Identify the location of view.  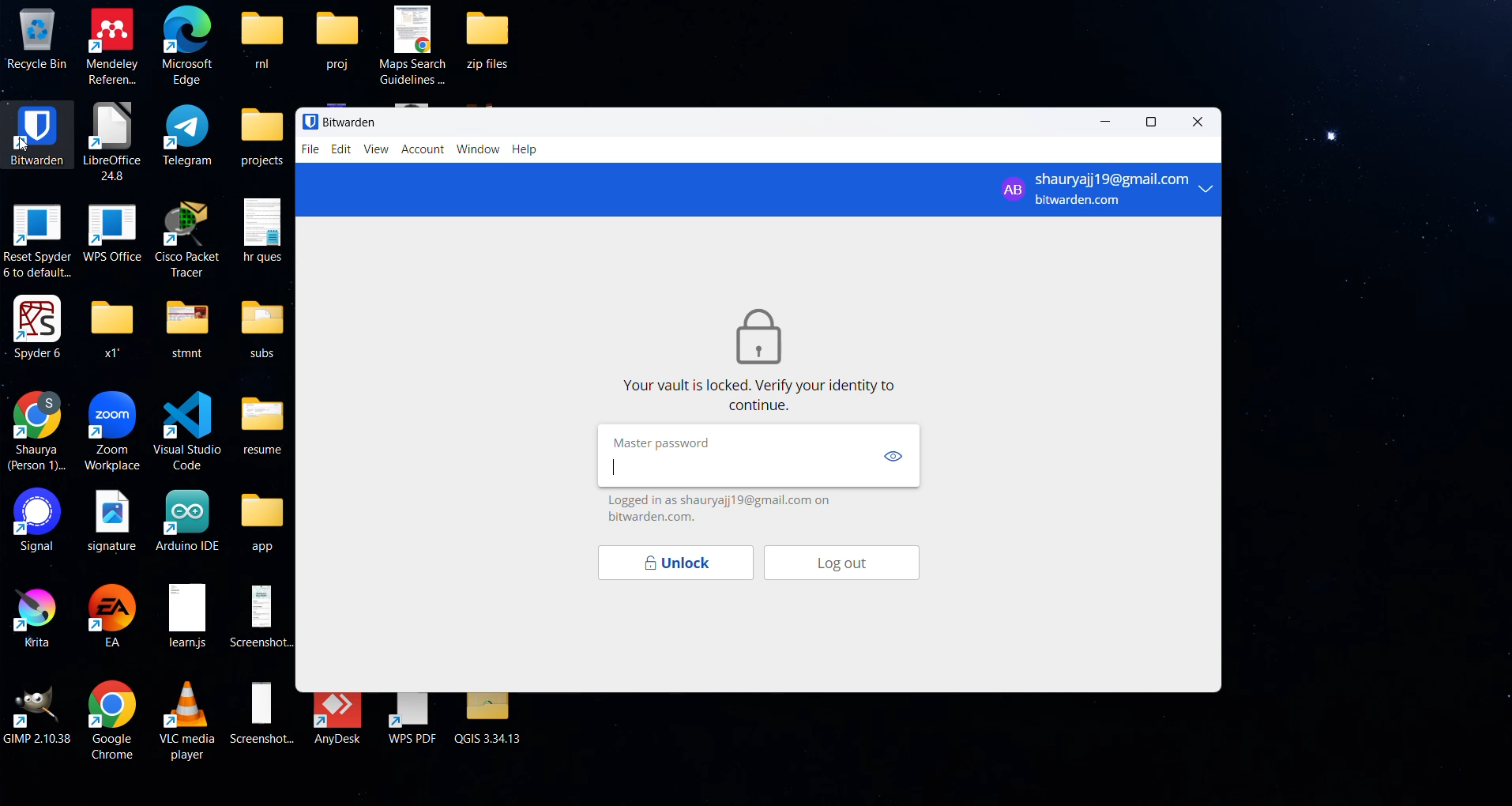
(893, 458).